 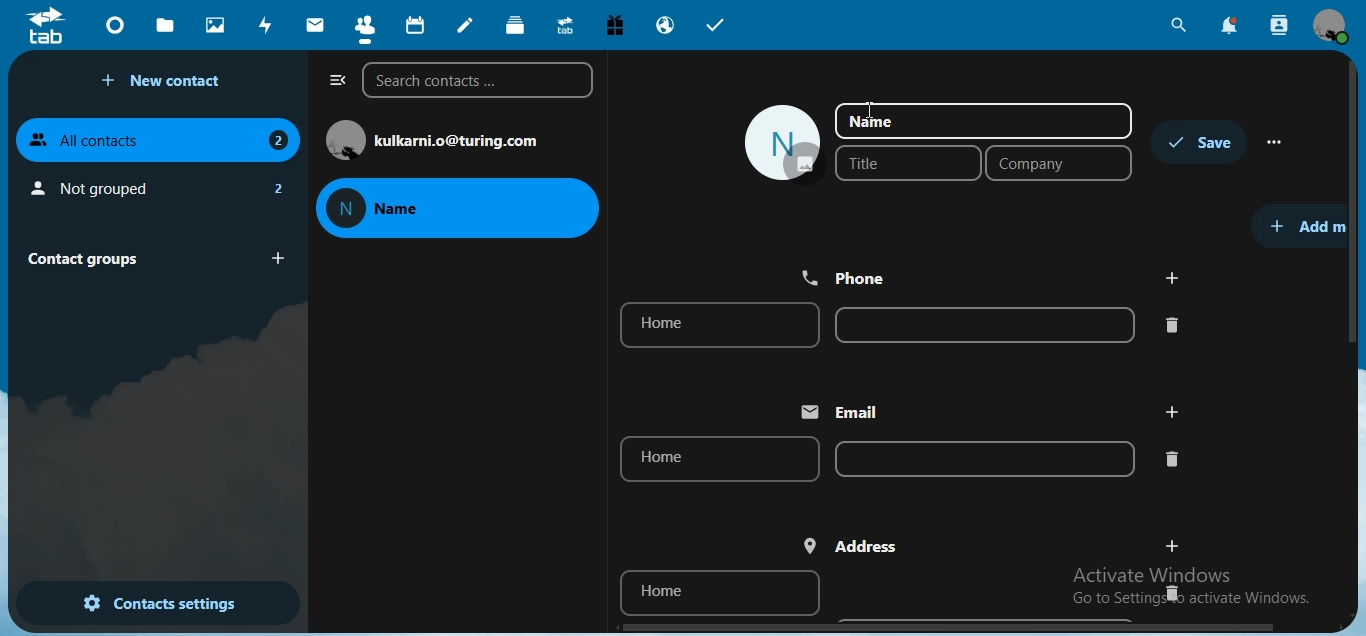 I want to click on deck, so click(x=518, y=26).